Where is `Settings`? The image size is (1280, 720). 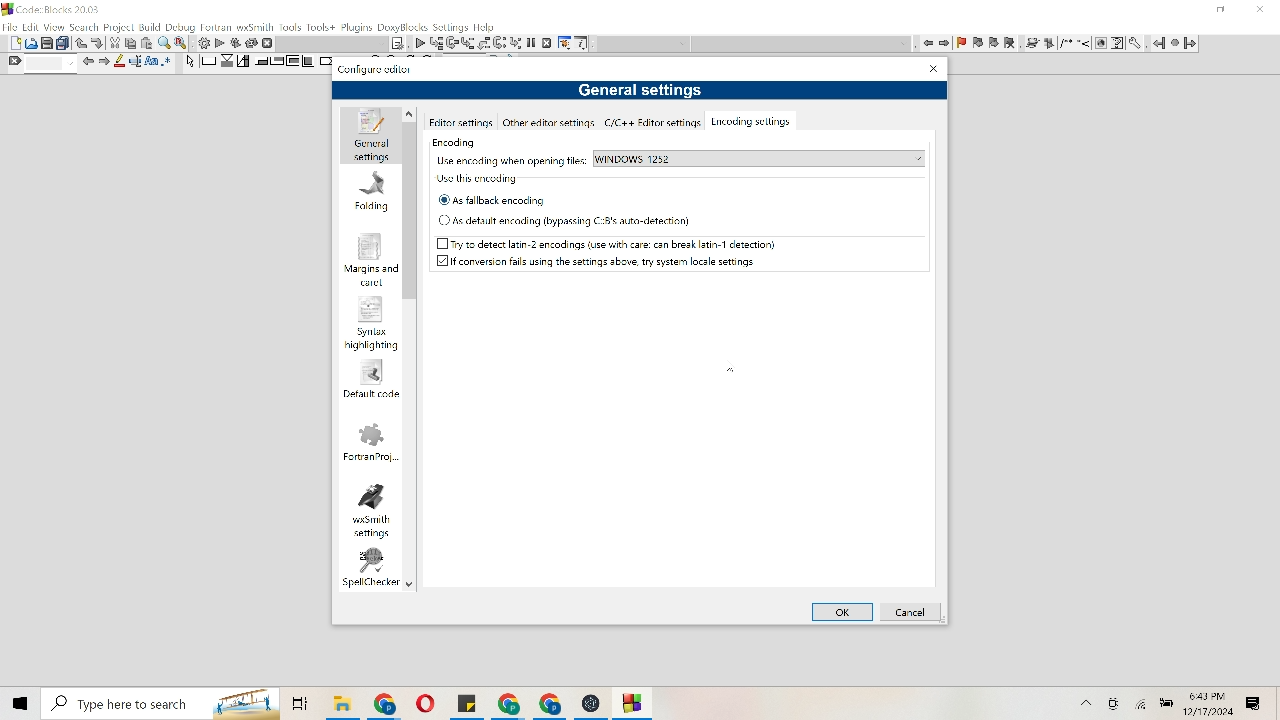
Settings is located at coordinates (202, 43).